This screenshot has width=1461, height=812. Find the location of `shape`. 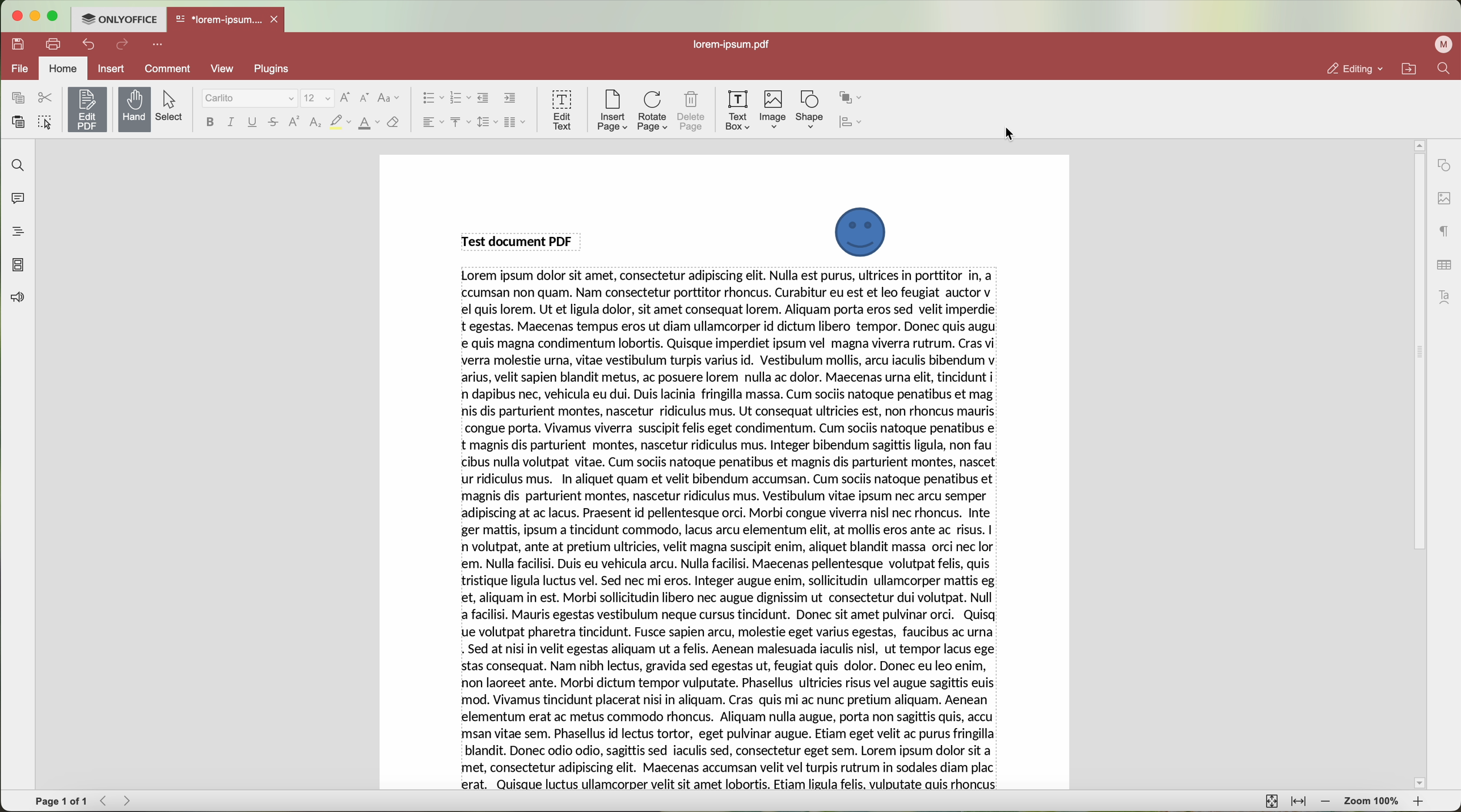

shape is located at coordinates (809, 109).